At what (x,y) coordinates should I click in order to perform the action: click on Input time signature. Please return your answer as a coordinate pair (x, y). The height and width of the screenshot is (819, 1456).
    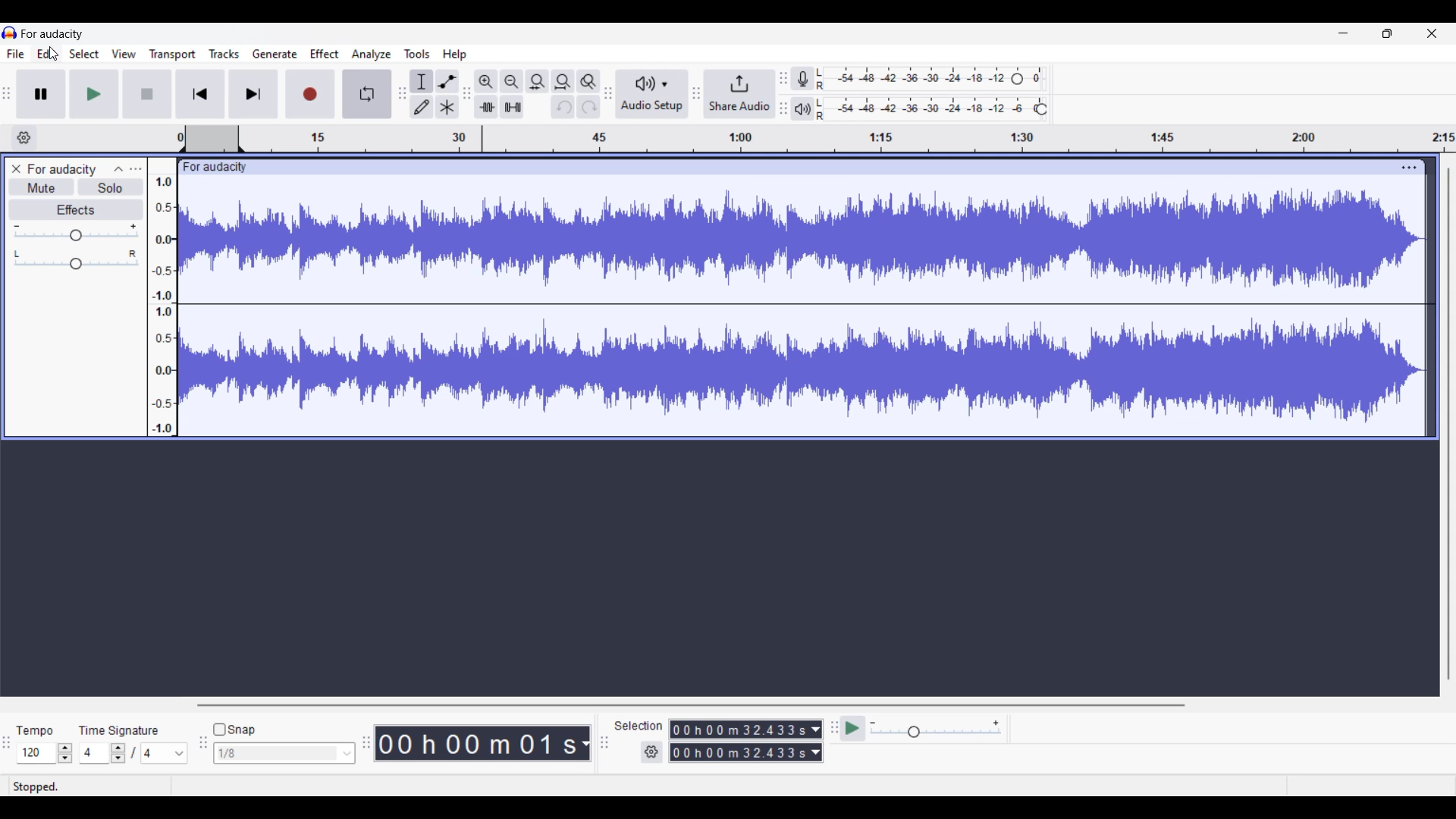
    Looking at the image, I should click on (94, 753).